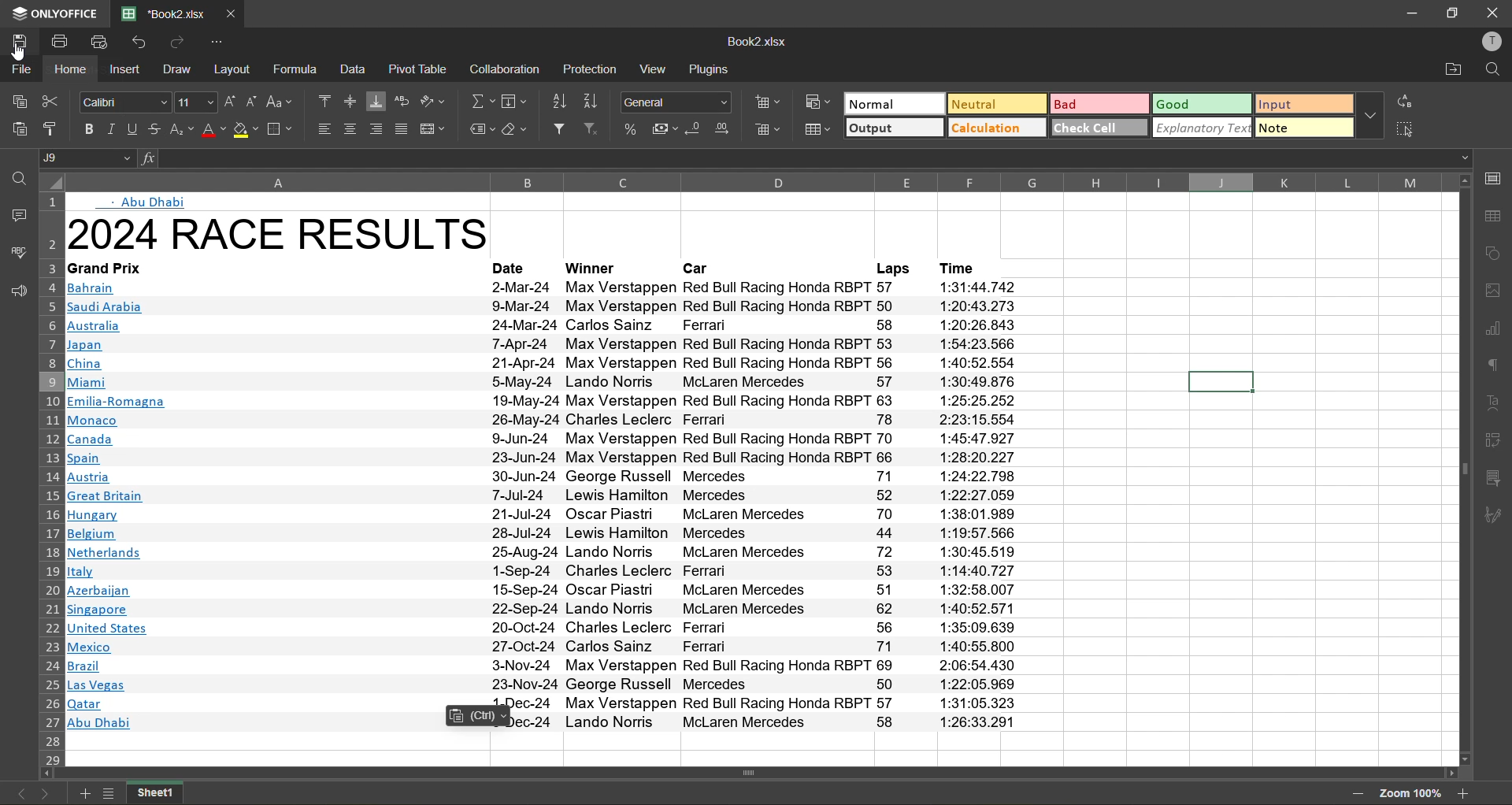 This screenshot has width=1512, height=805. What do you see at coordinates (547, 610) in the screenshot?
I see `text info` at bounding box center [547, 610].